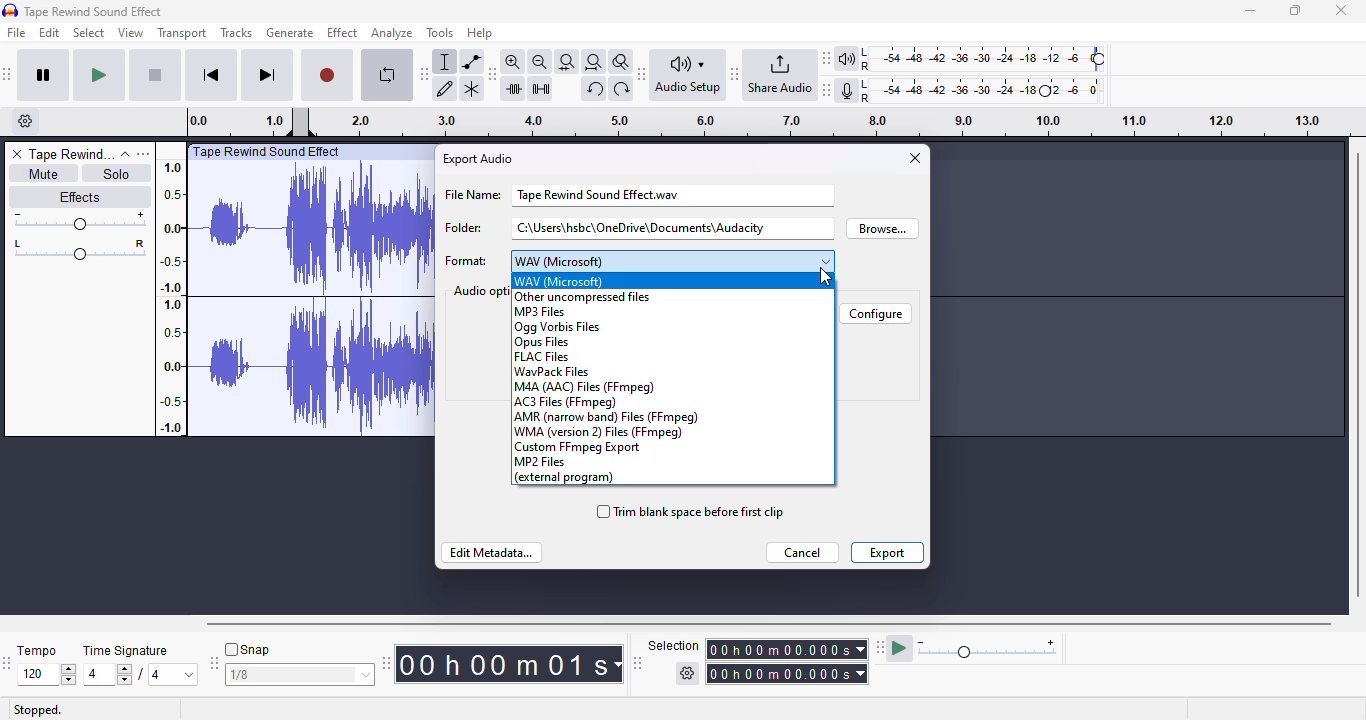  What do you see at coordinates (504, 664) in the screenshot?
I see `audacity time toolbar` at bounding box center [504, 664].